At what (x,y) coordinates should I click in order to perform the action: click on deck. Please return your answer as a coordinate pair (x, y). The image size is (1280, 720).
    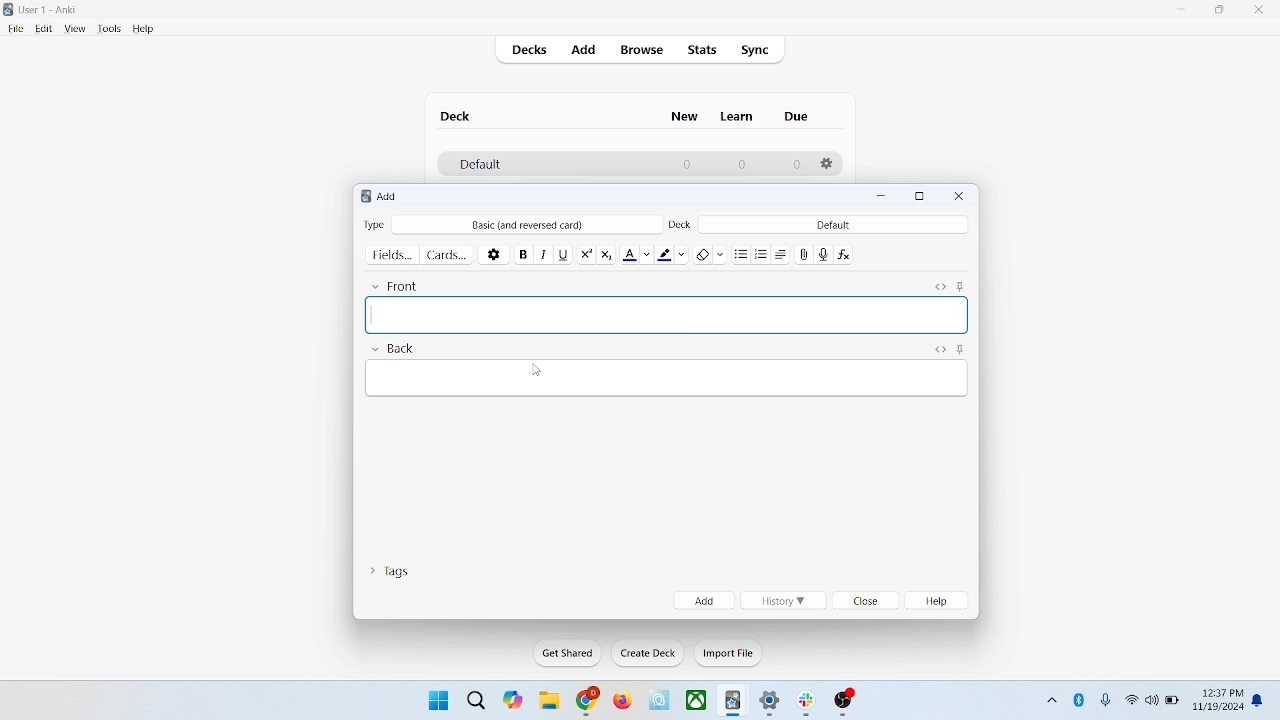
    Looking at the image, I should click on (458, 116).